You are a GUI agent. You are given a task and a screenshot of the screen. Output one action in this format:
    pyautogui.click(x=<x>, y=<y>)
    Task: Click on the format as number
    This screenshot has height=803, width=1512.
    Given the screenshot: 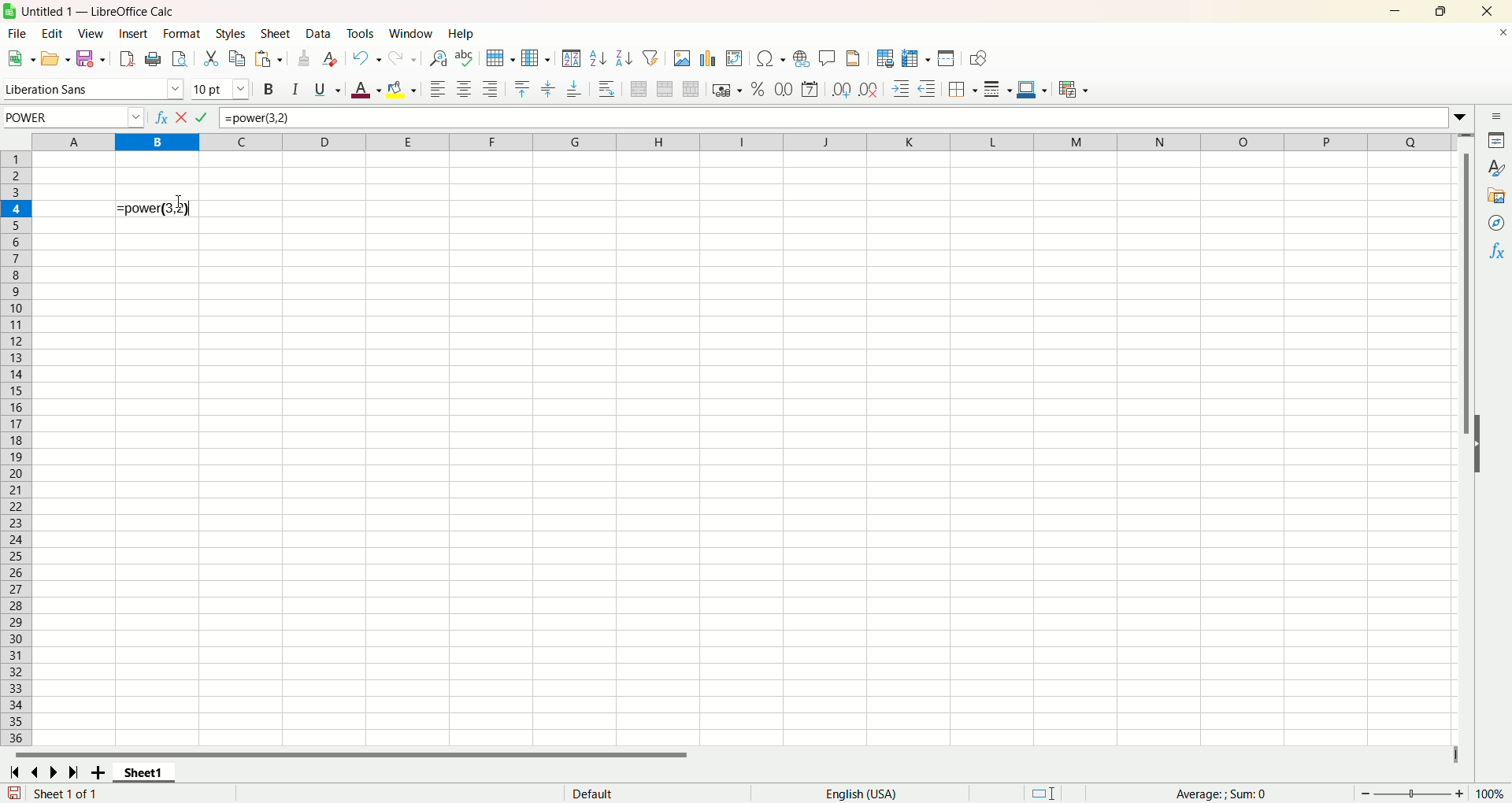 What is the action you would take?
    pyautogui.click(x=784, y=89)
    